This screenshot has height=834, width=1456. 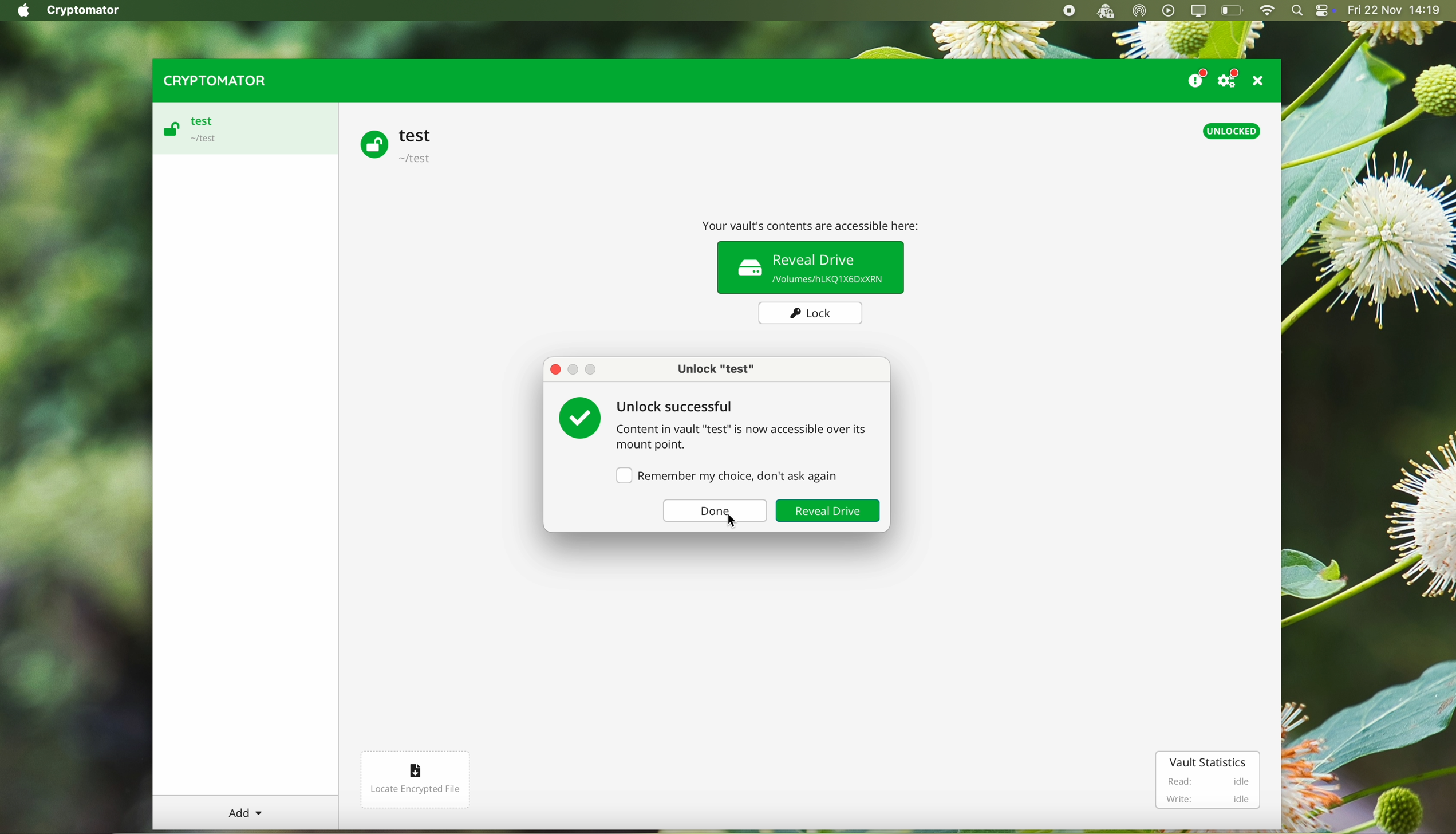 What do you see at coordinates (556, 369) in the screenshot?
I see `close pop-up` at bounding box center [556, 369].